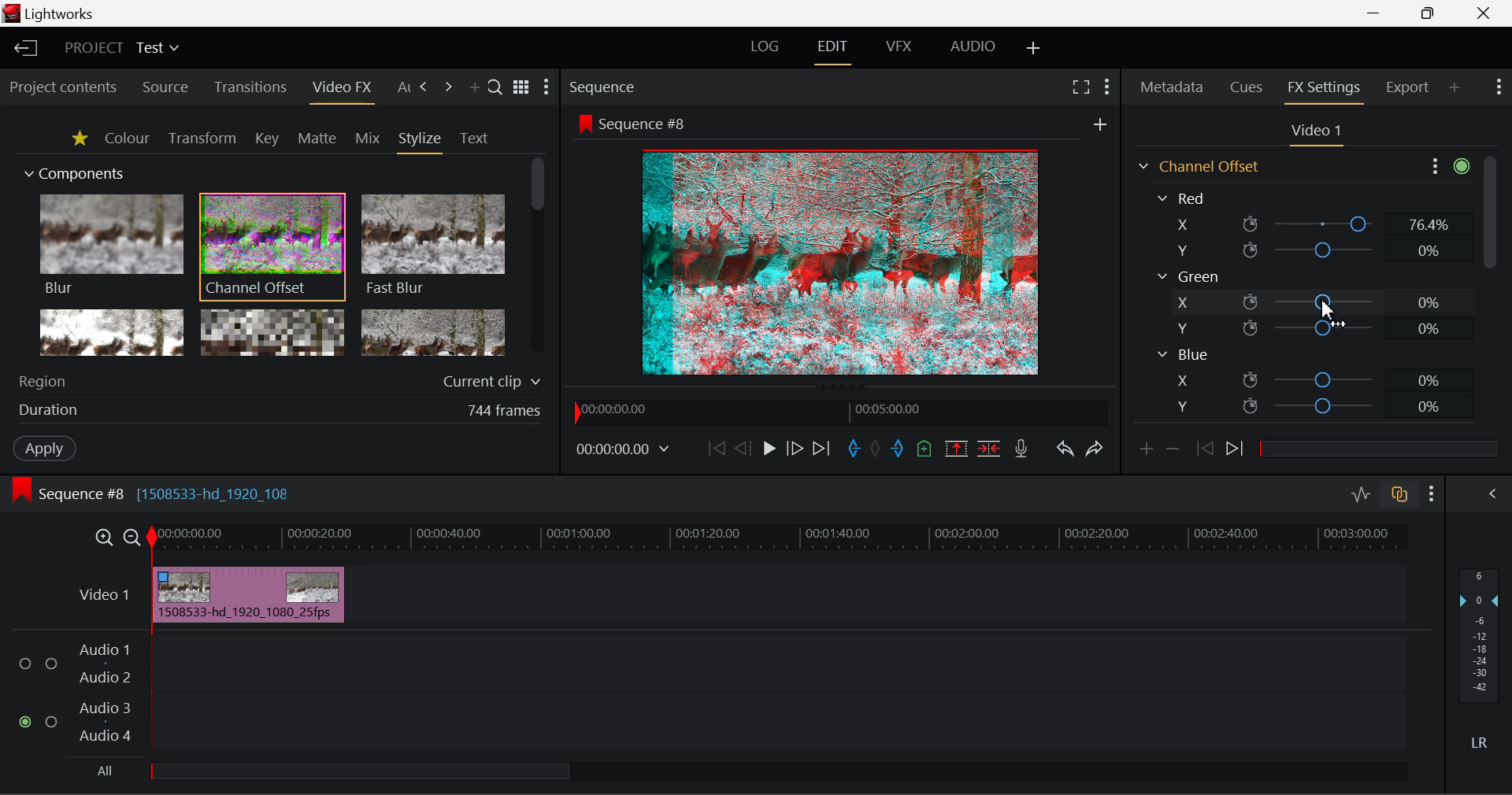  What do you see at coordinates (79, 140) in the screenshot?
I see `Favorites` at bounding box center [79, 140].